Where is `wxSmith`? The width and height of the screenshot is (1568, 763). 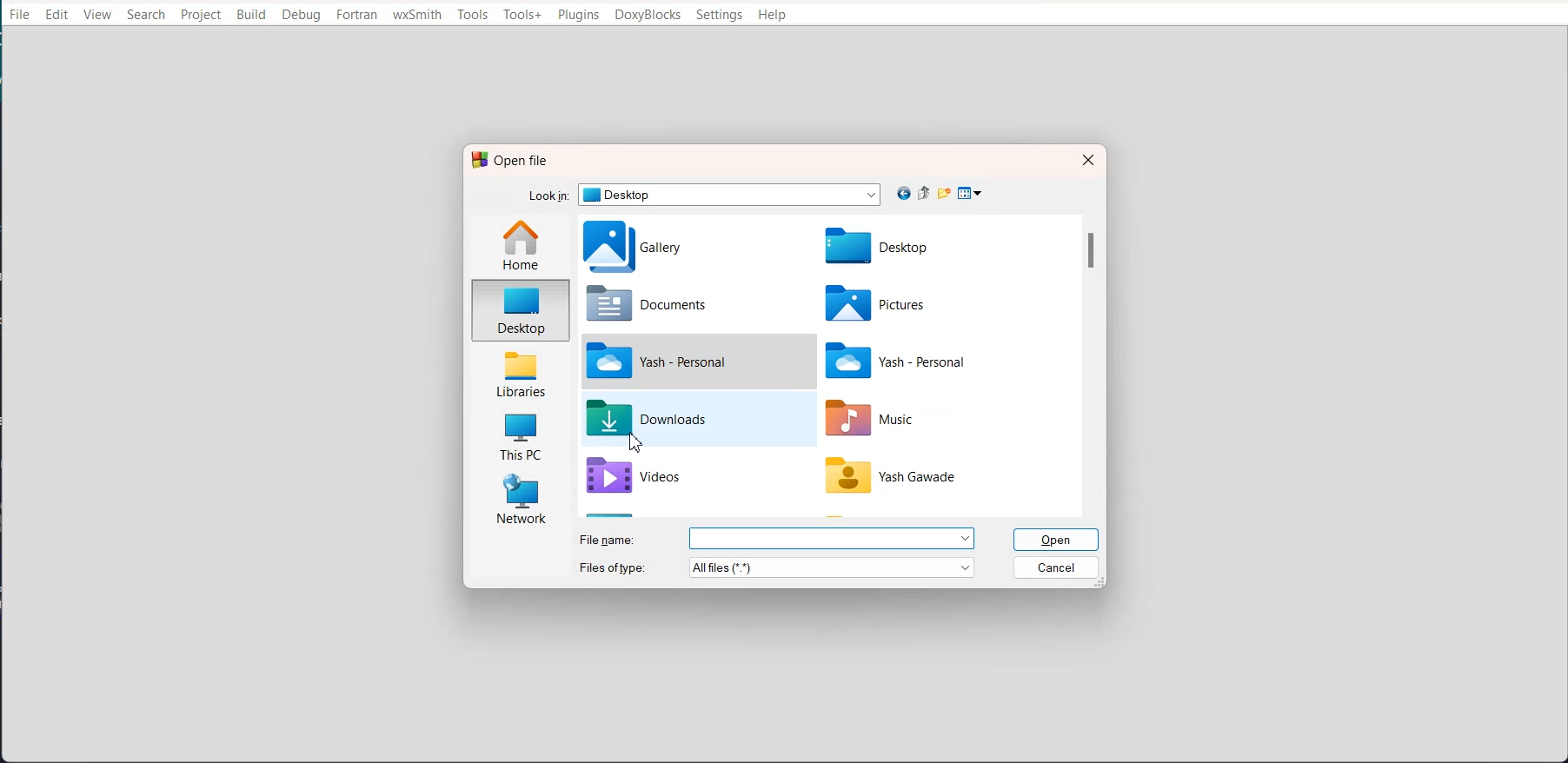 wxSmith is located at coordinates (417, 16).